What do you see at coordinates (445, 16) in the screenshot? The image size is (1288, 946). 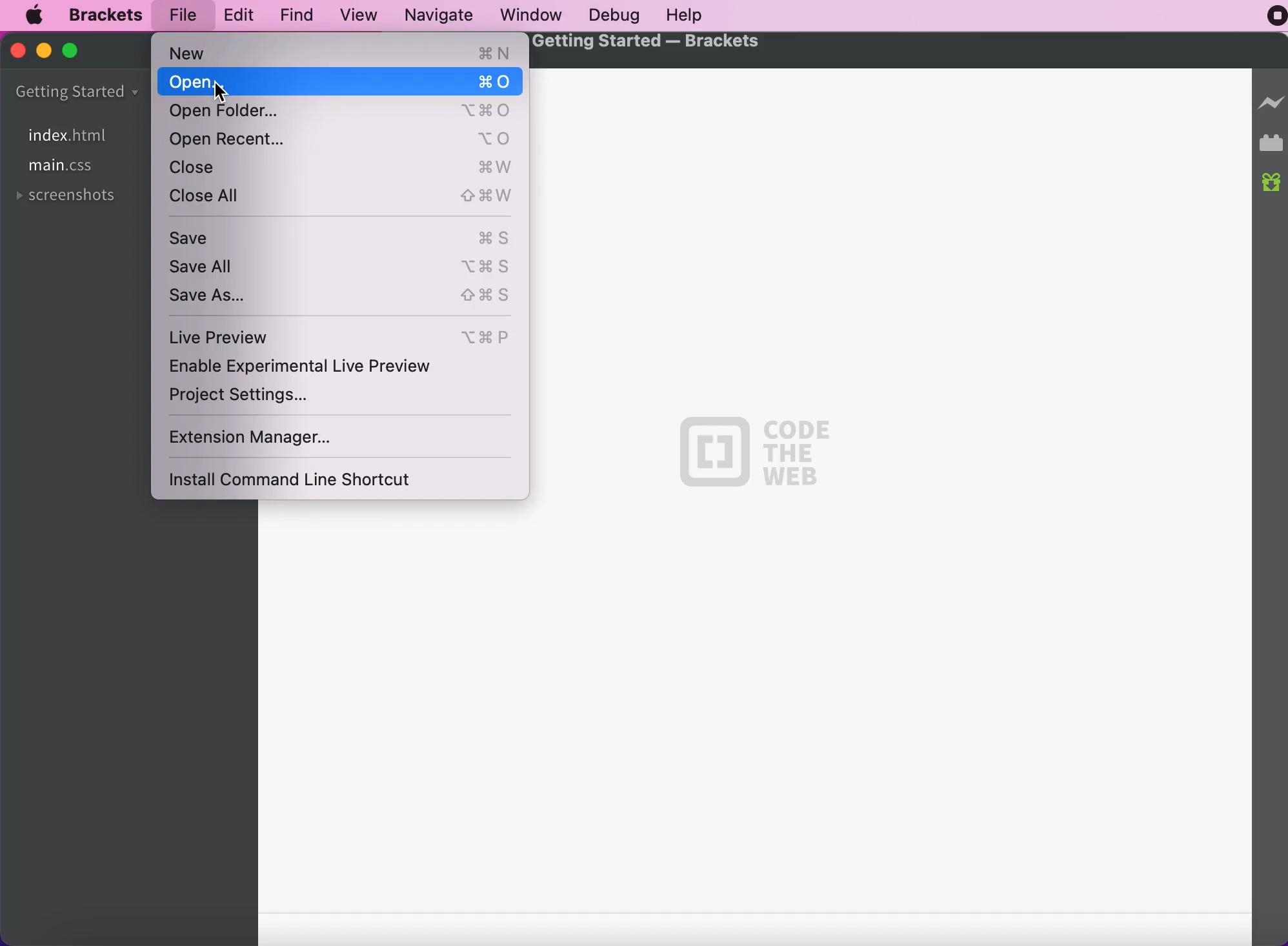 I see `navigate` at bounding box center [445, 16].